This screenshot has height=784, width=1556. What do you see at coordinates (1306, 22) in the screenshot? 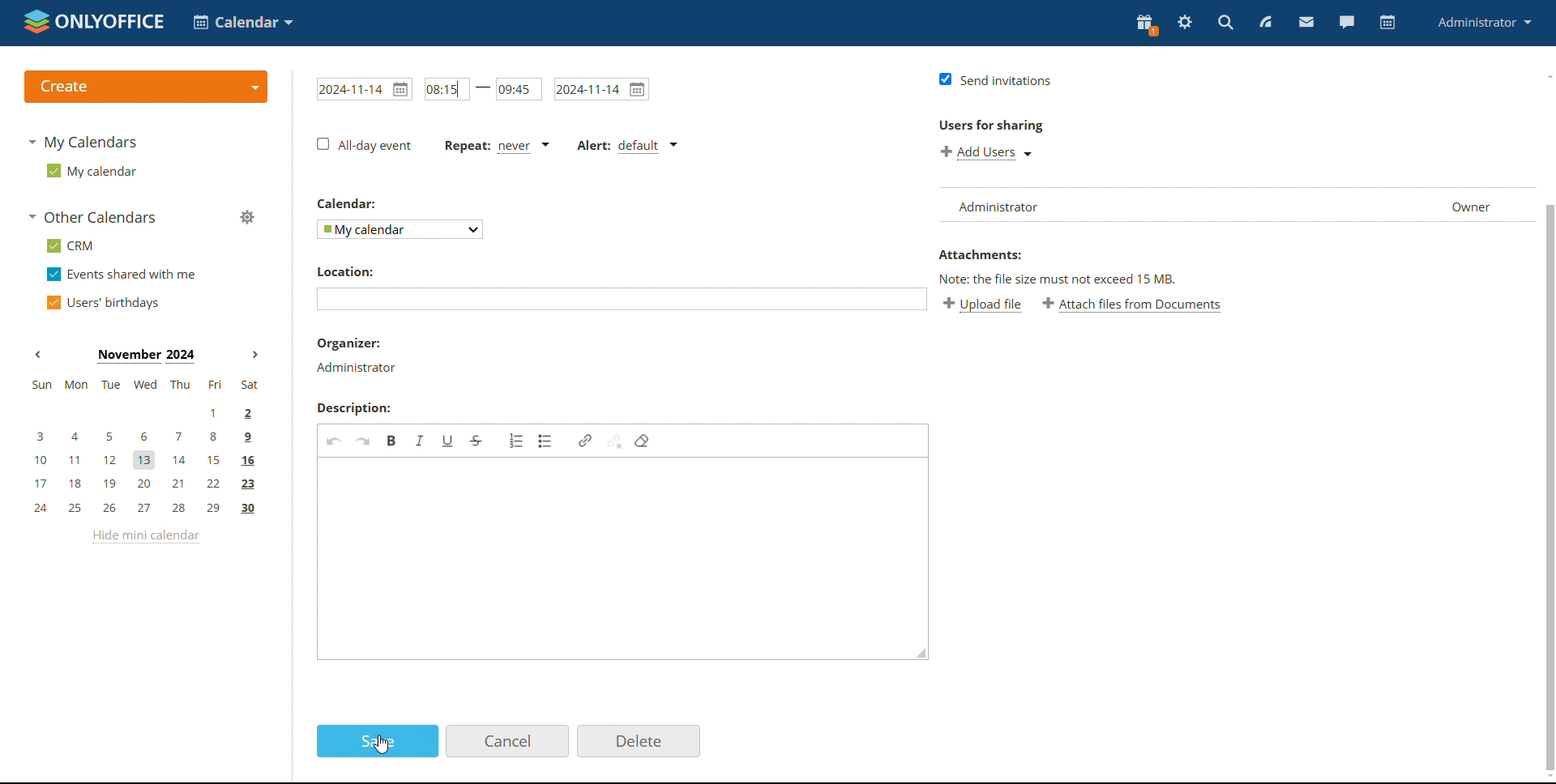
I see `mail` at bounding box center [1306, 22].